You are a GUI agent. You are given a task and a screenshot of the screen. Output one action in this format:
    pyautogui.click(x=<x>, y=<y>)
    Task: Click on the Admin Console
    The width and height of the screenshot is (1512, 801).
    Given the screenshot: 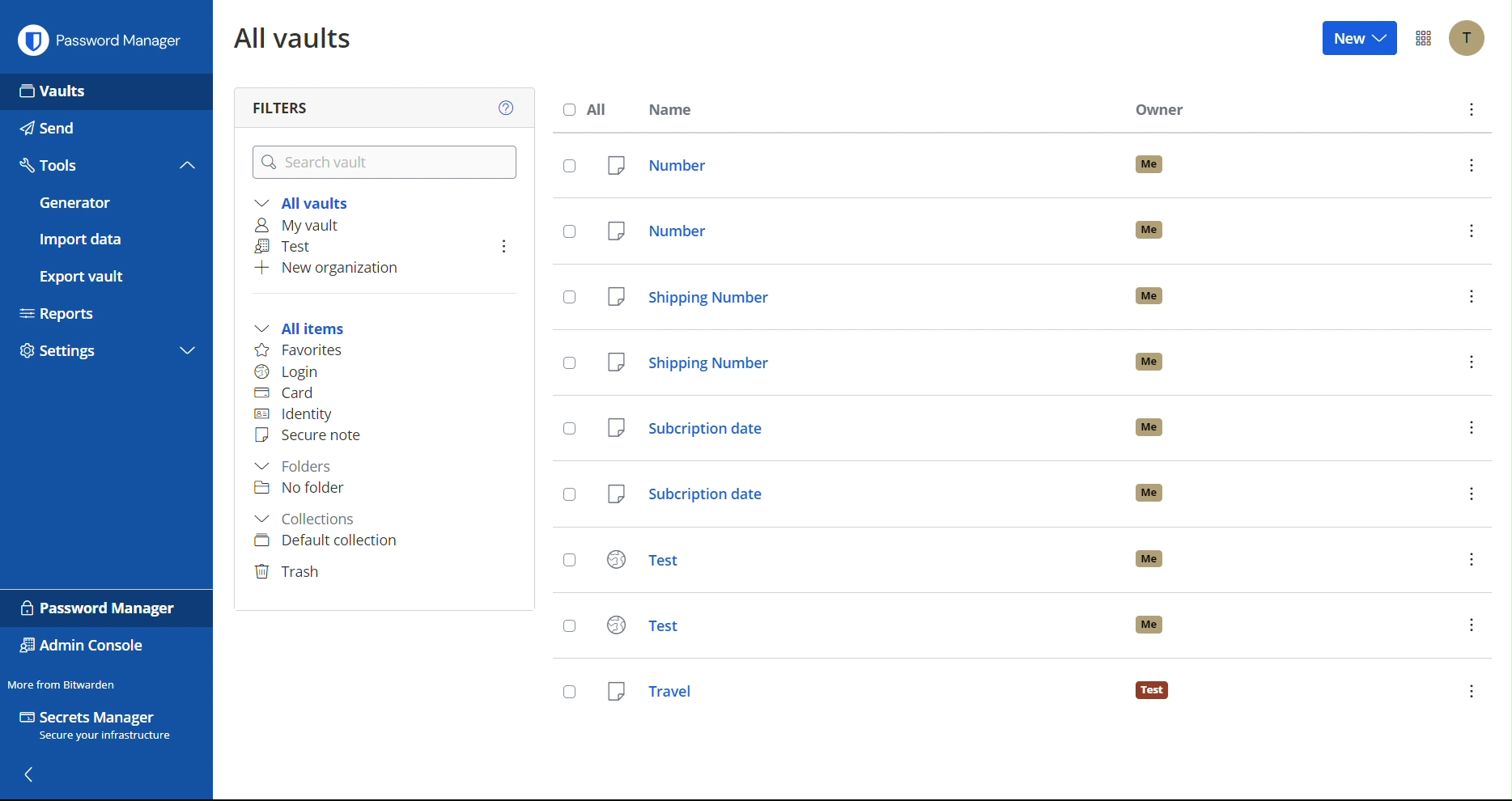 What is the action you would take?
    pyautogui.click(x=83, y=647)
    